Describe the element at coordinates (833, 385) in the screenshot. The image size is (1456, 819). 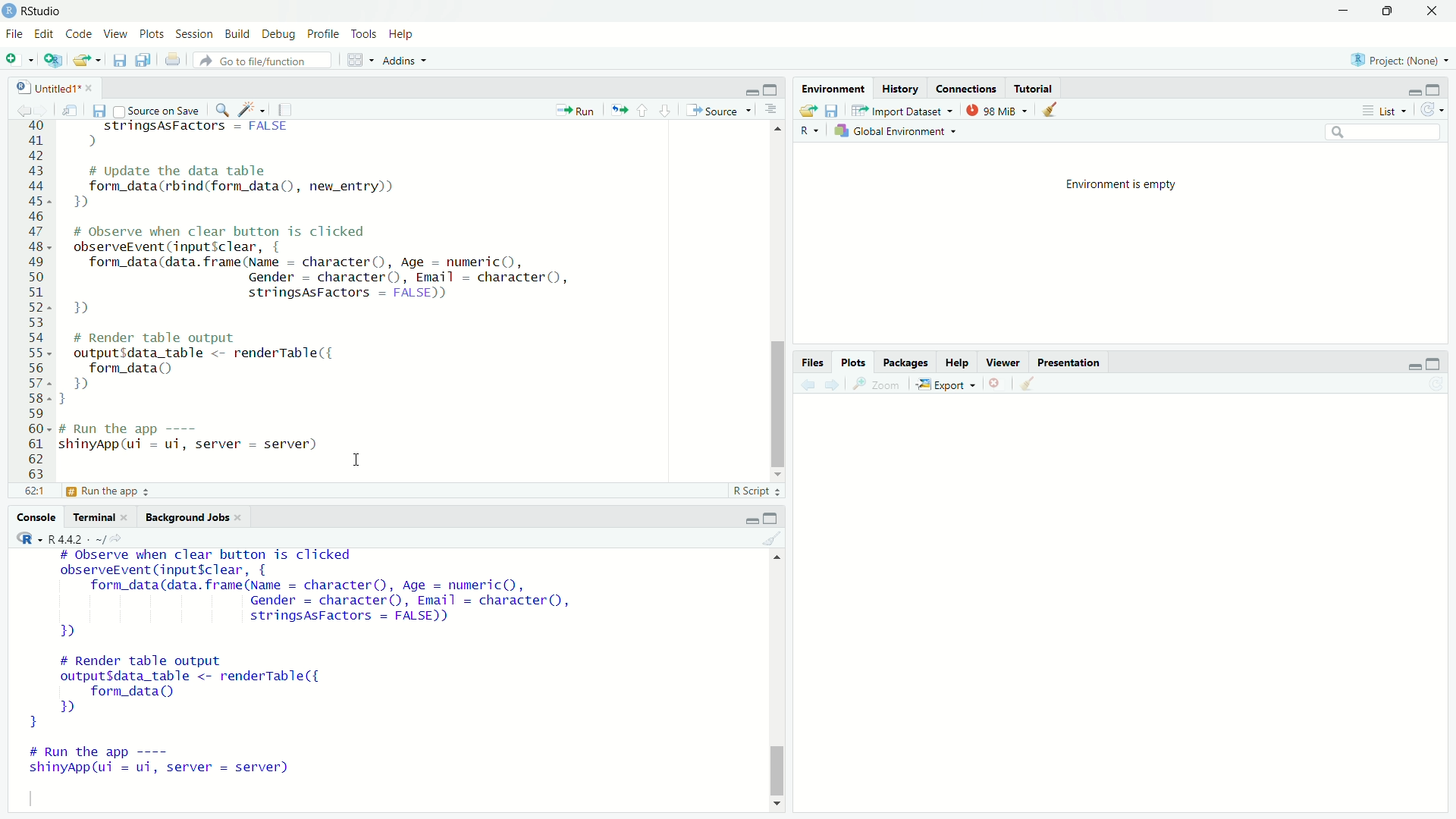
I see `next plot` at that location.